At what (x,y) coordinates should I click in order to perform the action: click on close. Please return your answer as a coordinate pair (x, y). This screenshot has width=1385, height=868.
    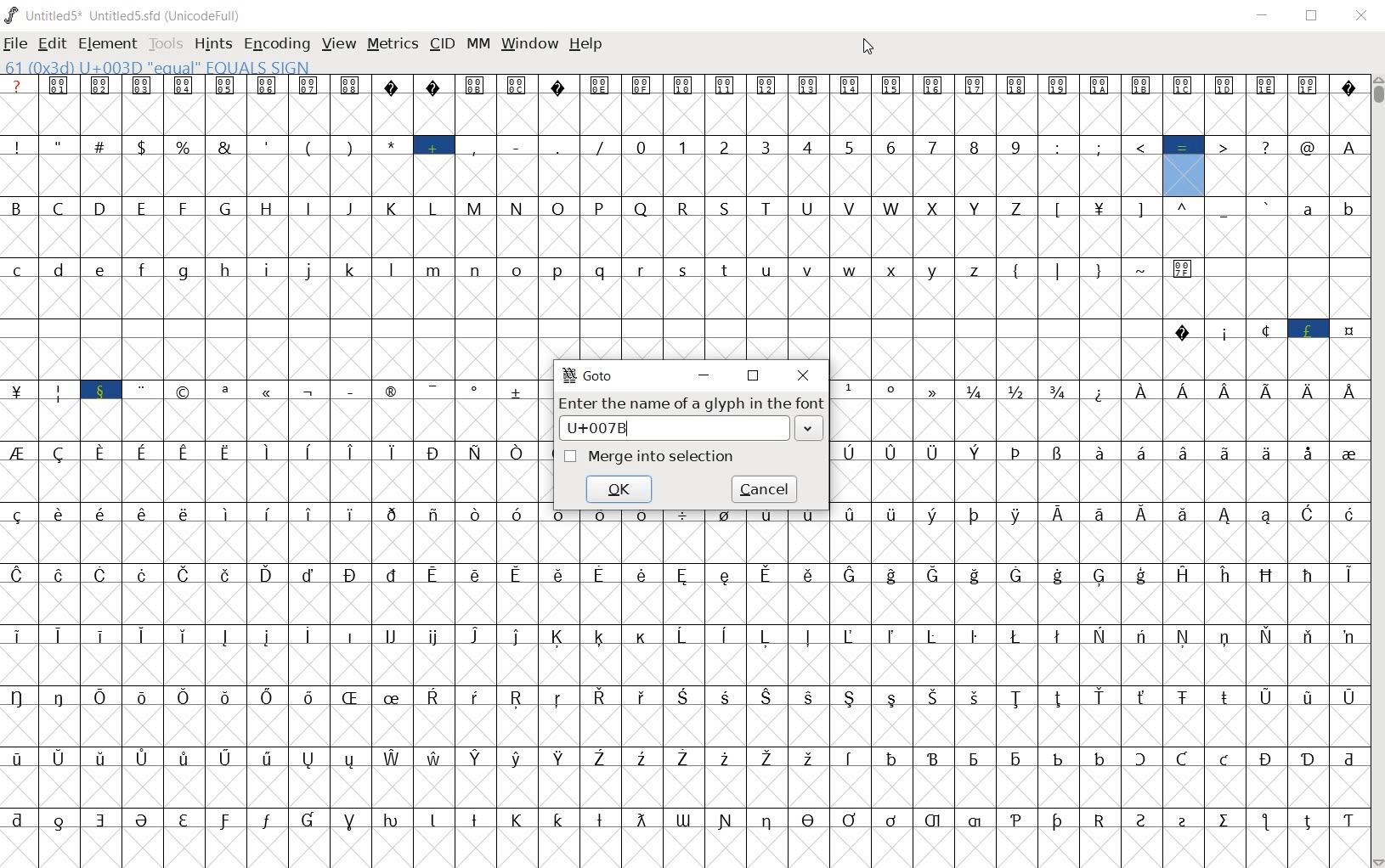
    Looking at the image, I should click on (803, 375).